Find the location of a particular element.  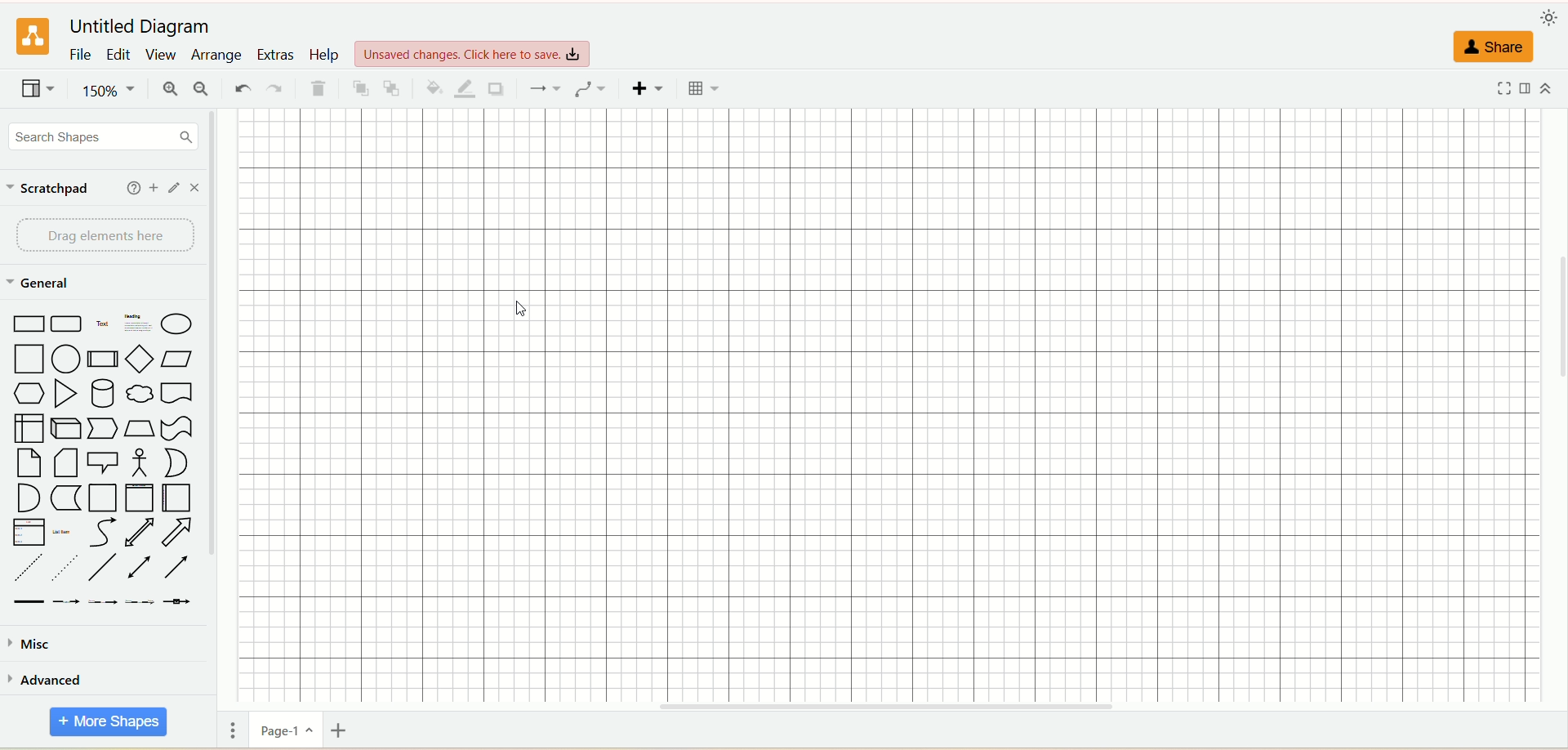

bidirectional arrow is located at coordinates (140, 533).